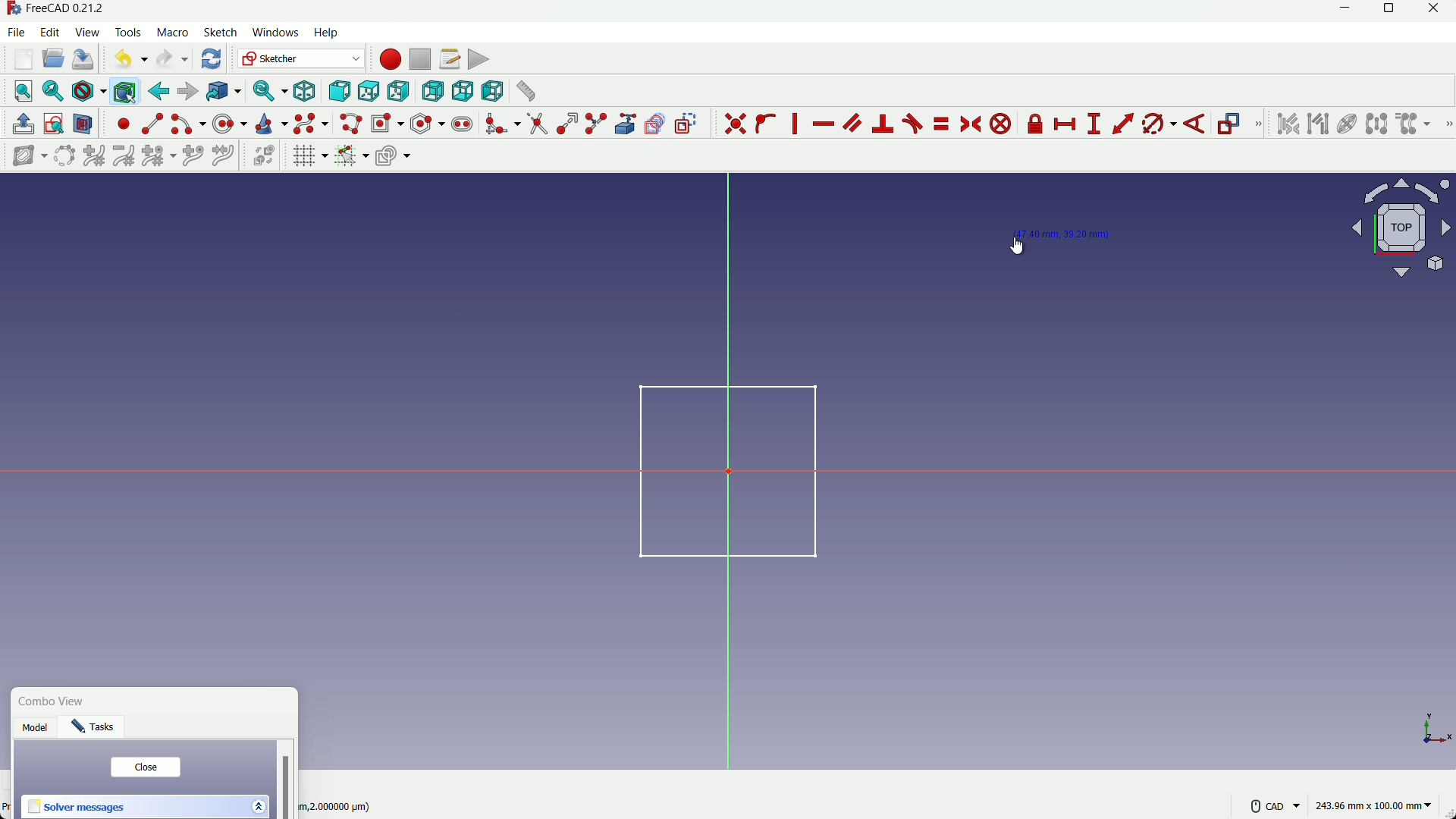 This screenshot has width=1456, height=819. I want to click on clone, so click(1414, 125).